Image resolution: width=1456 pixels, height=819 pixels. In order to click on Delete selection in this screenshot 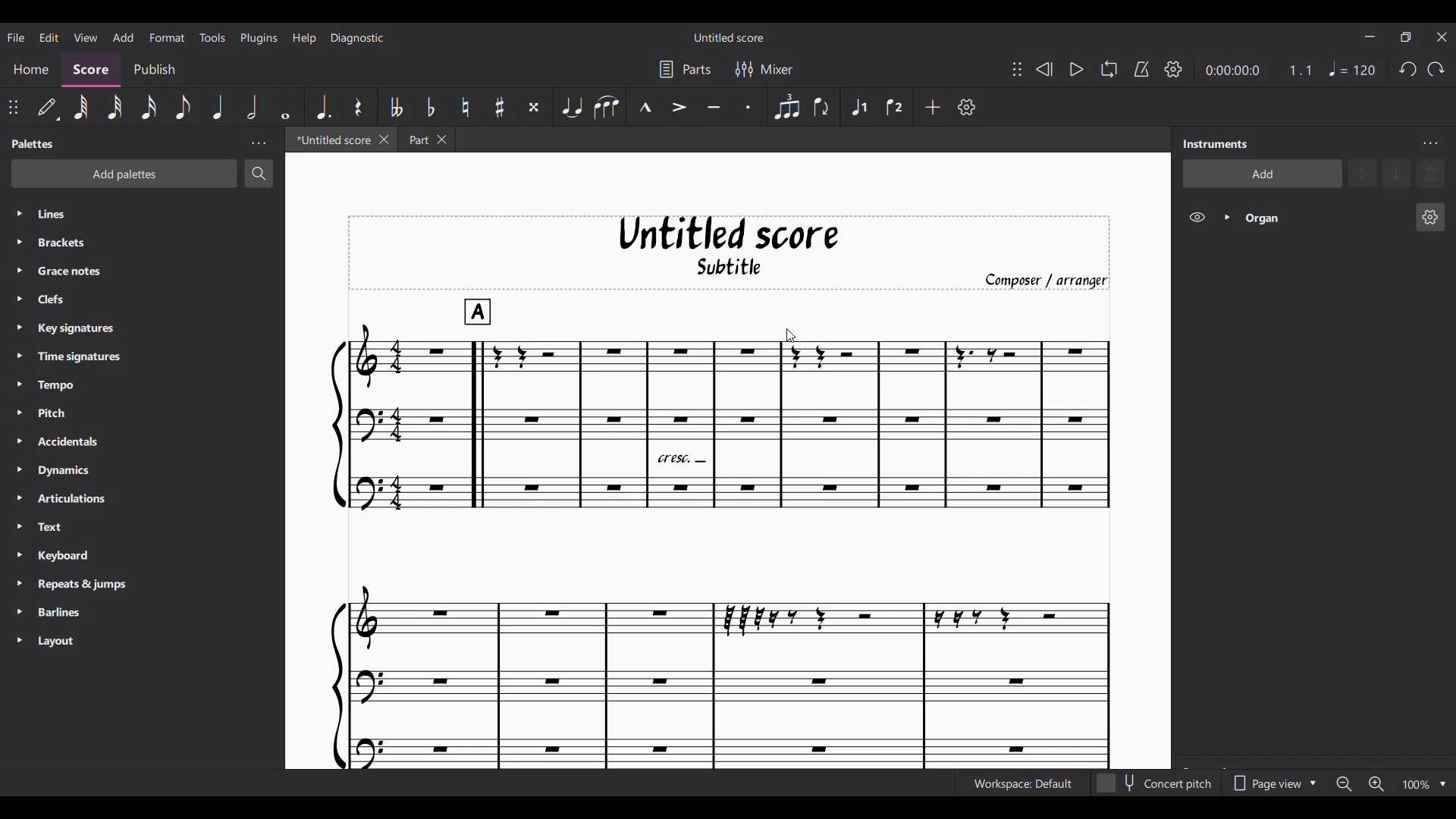, I will do `click(1431, 174)`.